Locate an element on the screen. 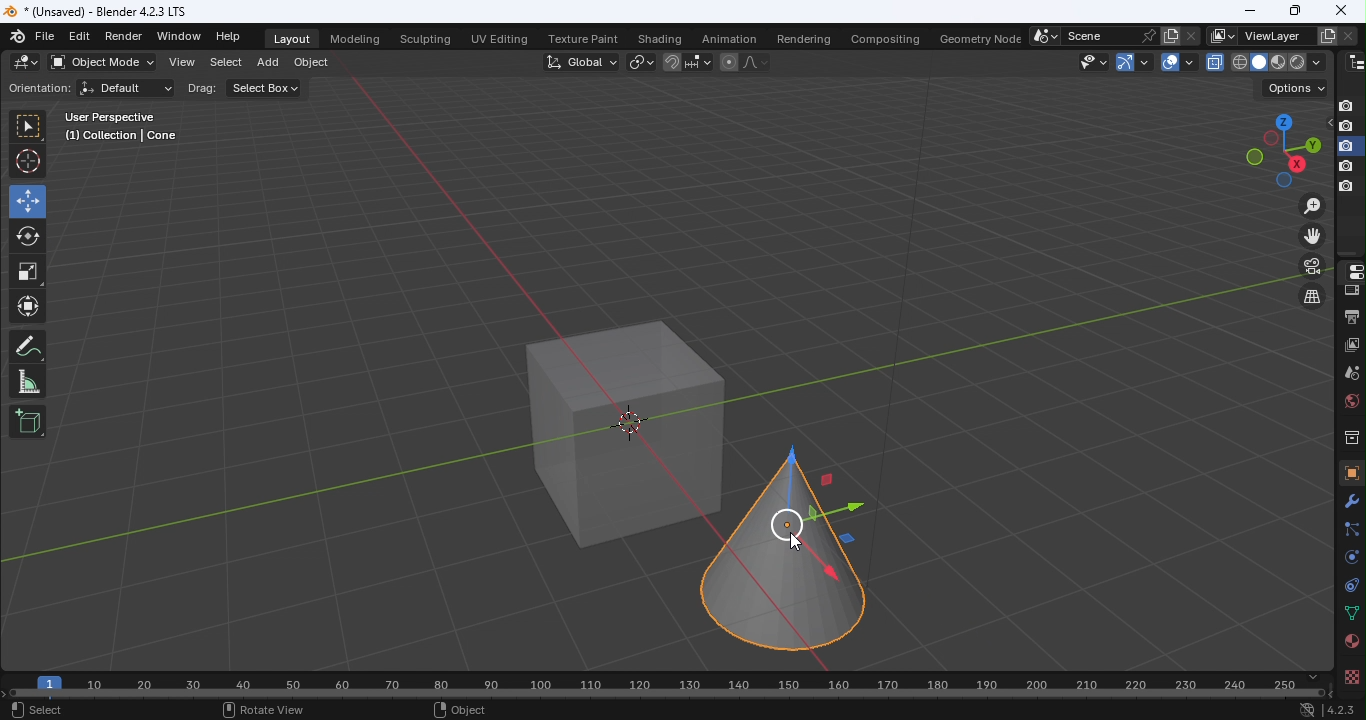 Image resolution: width=1366 pixels, height=720 pixels. Document name is located at coordinates (105, 10).